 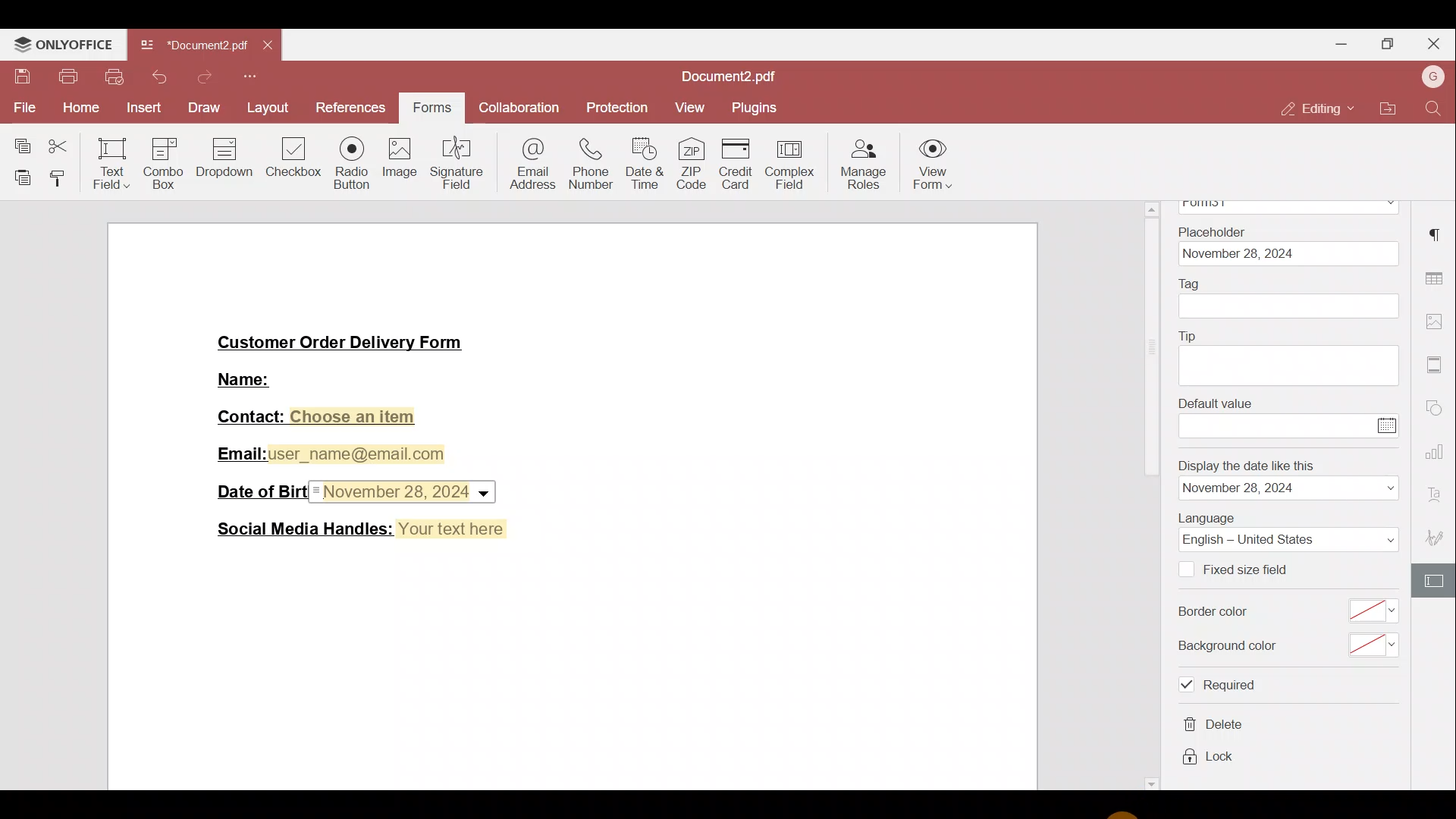 I want to click on Tag, so click(x=1197, y=284).